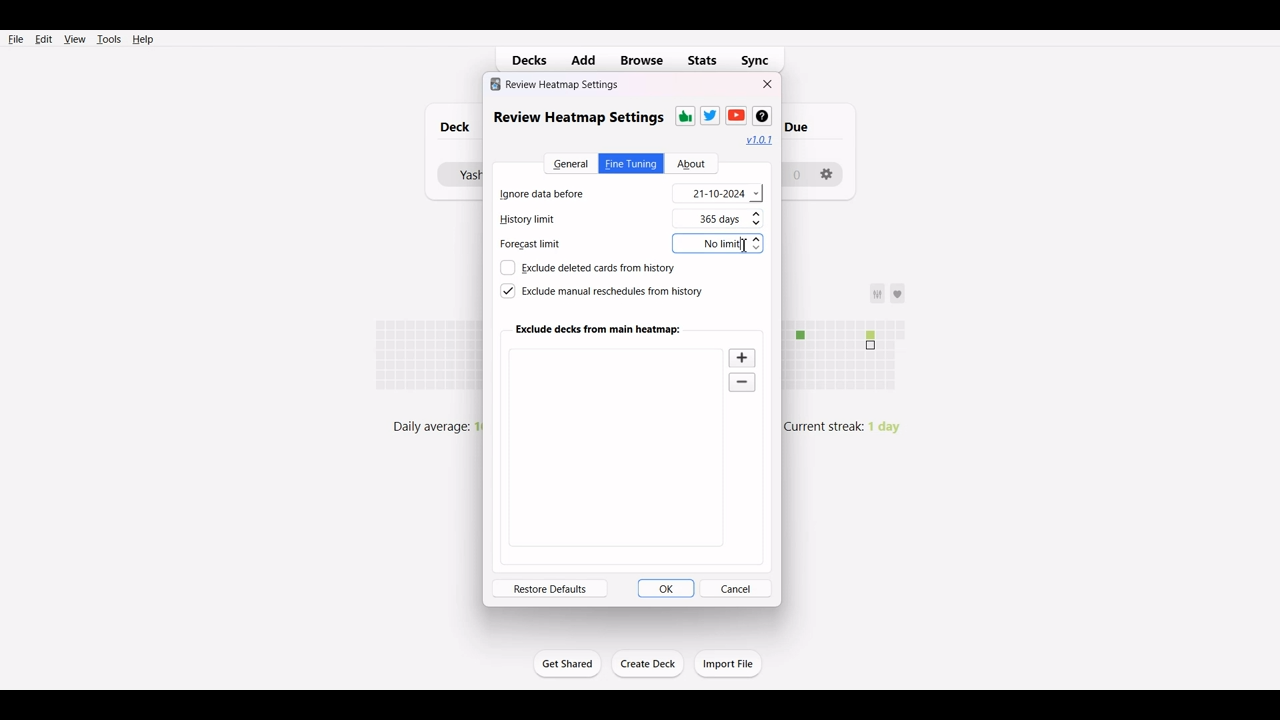 Image resolution: width=1280 pixels, height=720 pixels. I want to click on Exclude manual reschedule from history, so click(600, 291).